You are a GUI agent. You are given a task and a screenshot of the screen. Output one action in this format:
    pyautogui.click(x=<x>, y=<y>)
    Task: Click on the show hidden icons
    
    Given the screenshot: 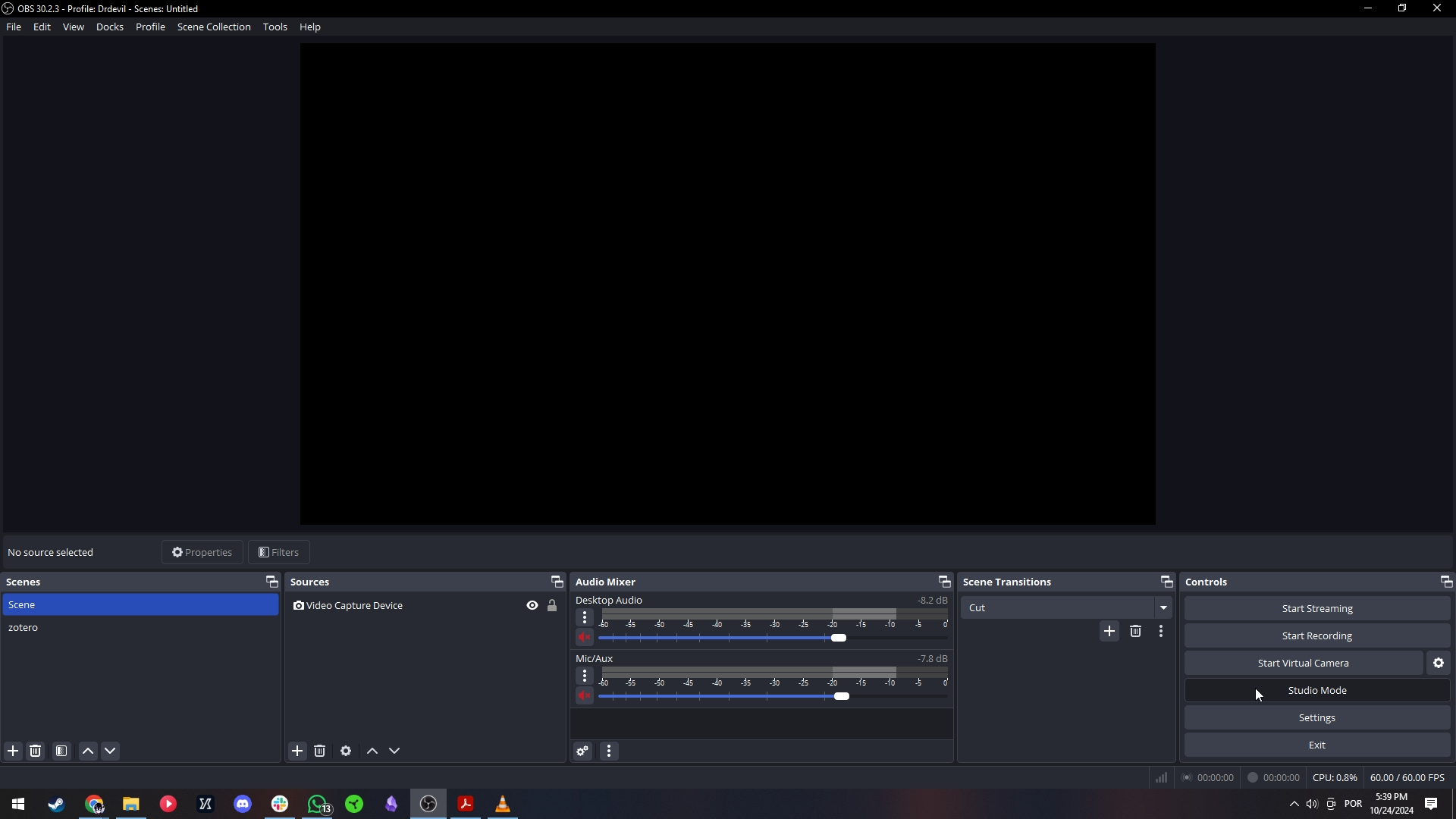 What is the action you would take?
    pyautogui.click(x=1288, y=807)
    